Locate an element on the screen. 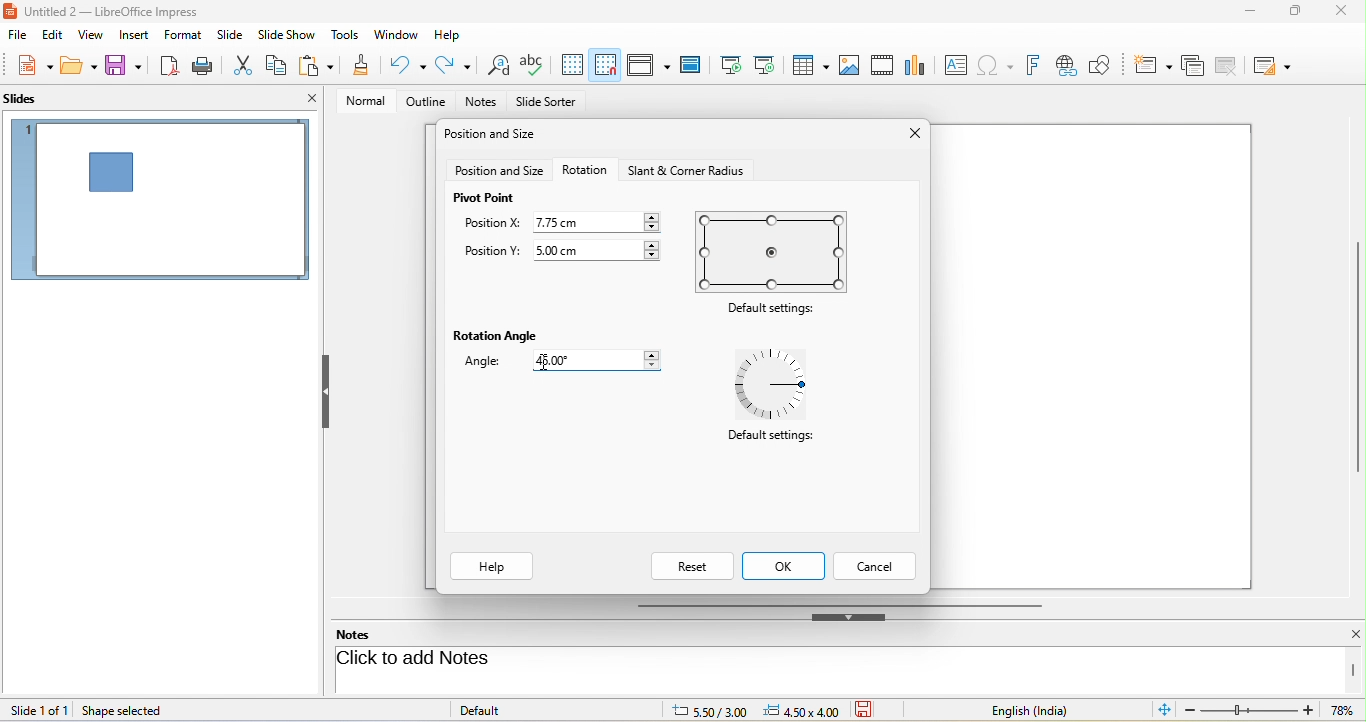 The width and height of the screenshot is (1366, 722). cursor position-5.50/3.00 is located at coordinates (698, 709).